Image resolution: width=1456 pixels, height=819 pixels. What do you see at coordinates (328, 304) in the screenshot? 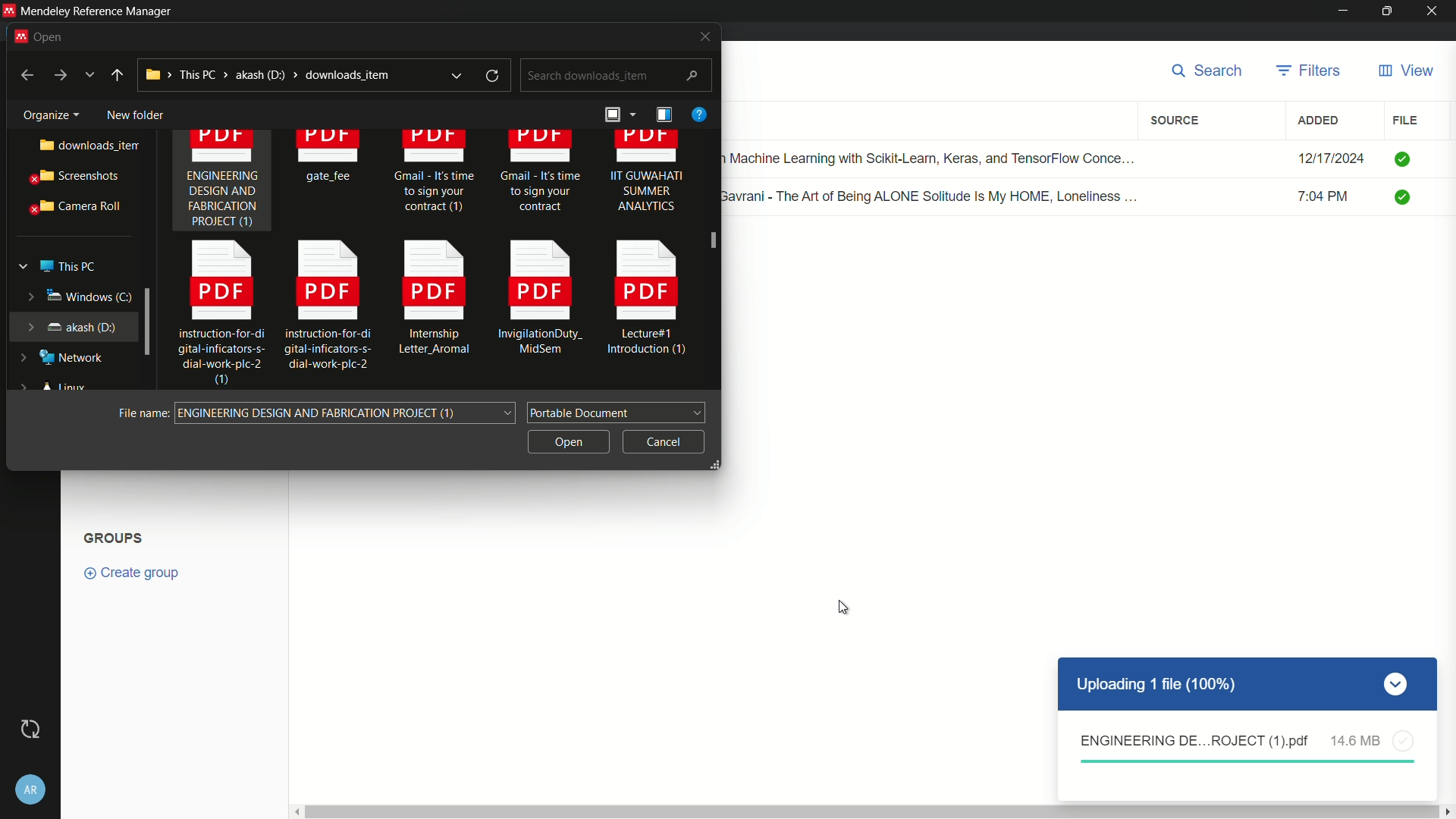
I see `instruction-for-di
gital-inficators-s-
dial-work-plc-2` at bounding box center [328, 304].